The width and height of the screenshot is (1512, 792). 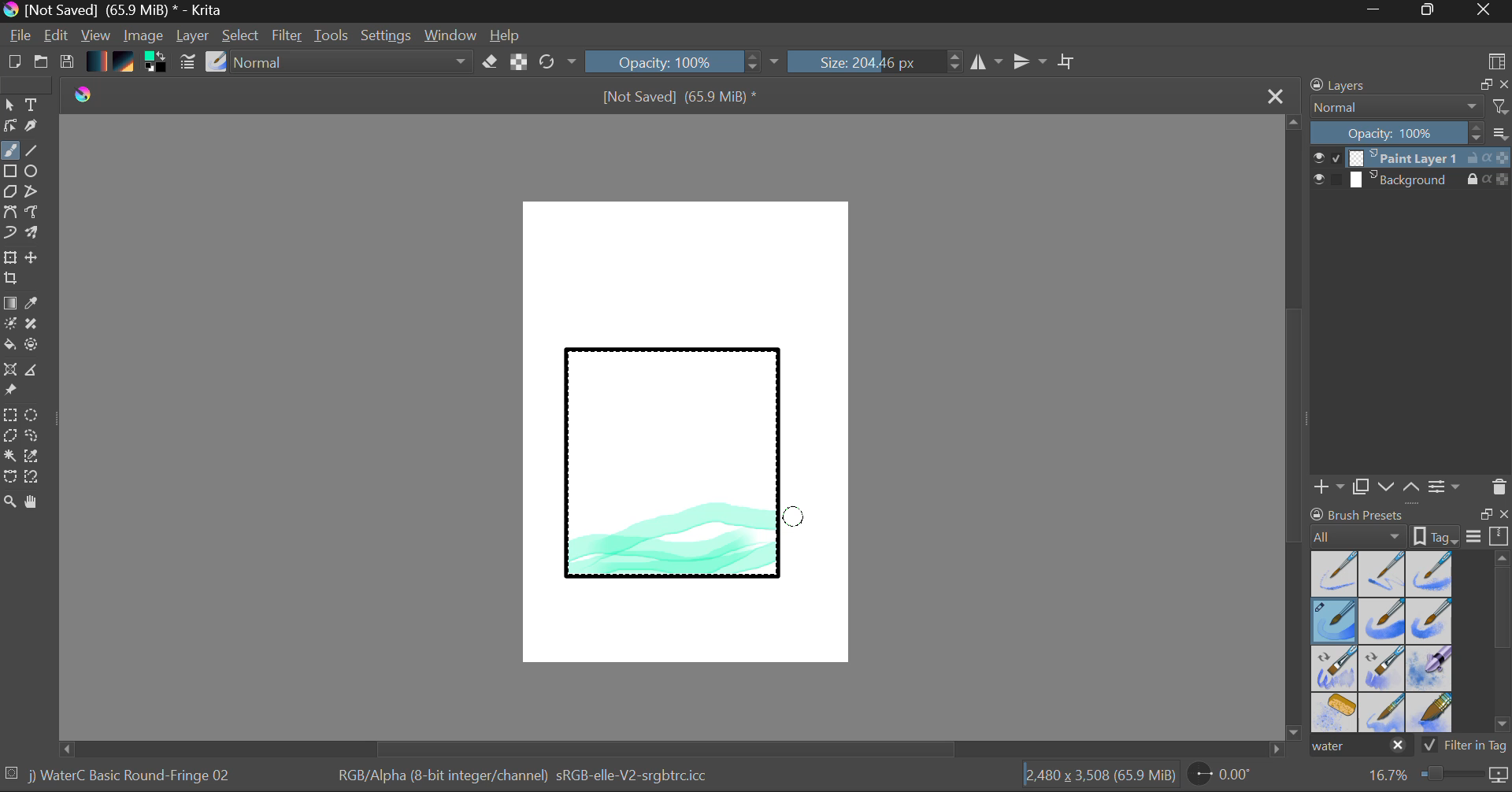 I want to click on Polyline, so click(x=33, y=193).